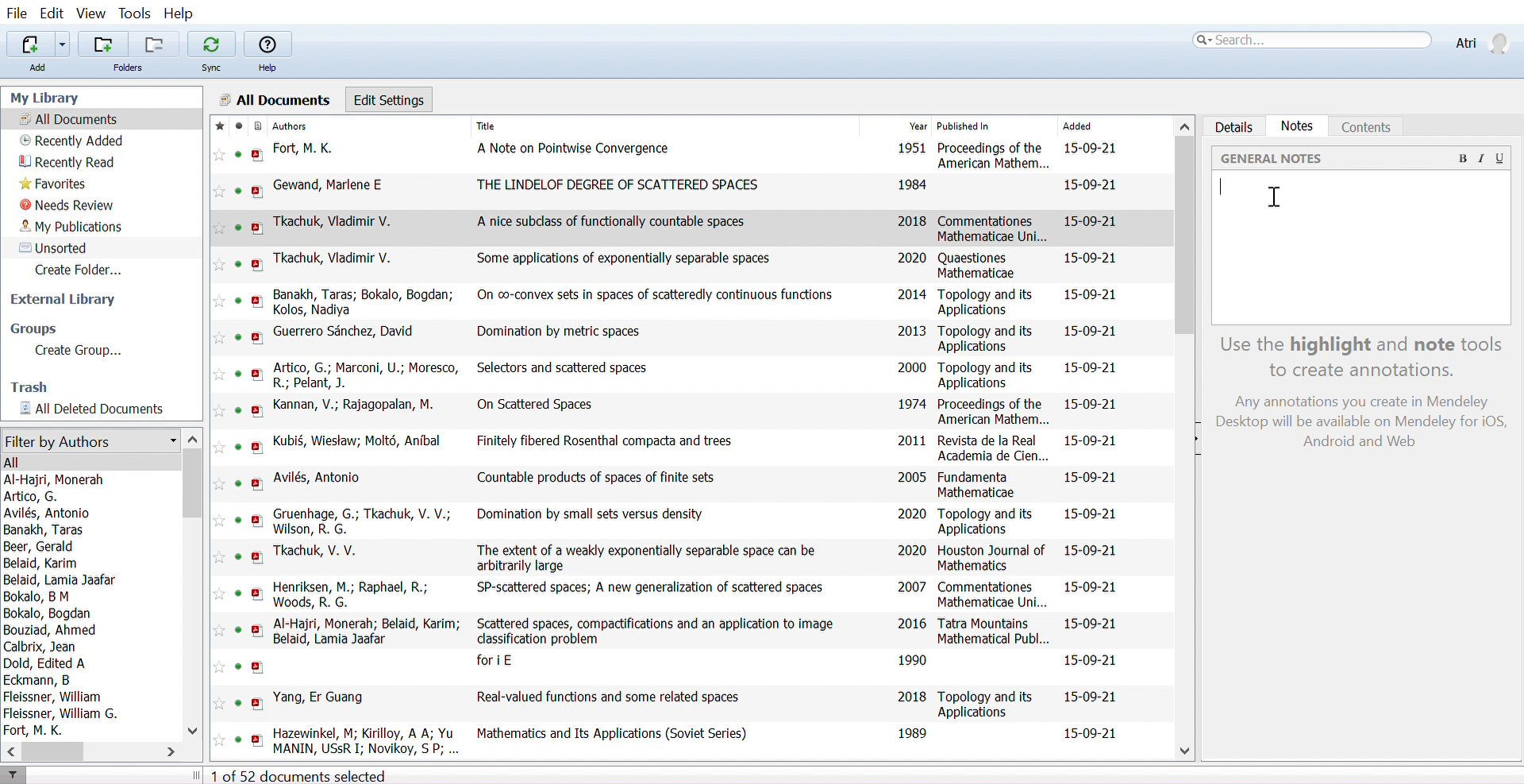 The height and width of the screenshot is (784, 1524). What do you see at coordinates (33, 329) in the screenshot?
I see `Groups` at bounding box center [33, 329].